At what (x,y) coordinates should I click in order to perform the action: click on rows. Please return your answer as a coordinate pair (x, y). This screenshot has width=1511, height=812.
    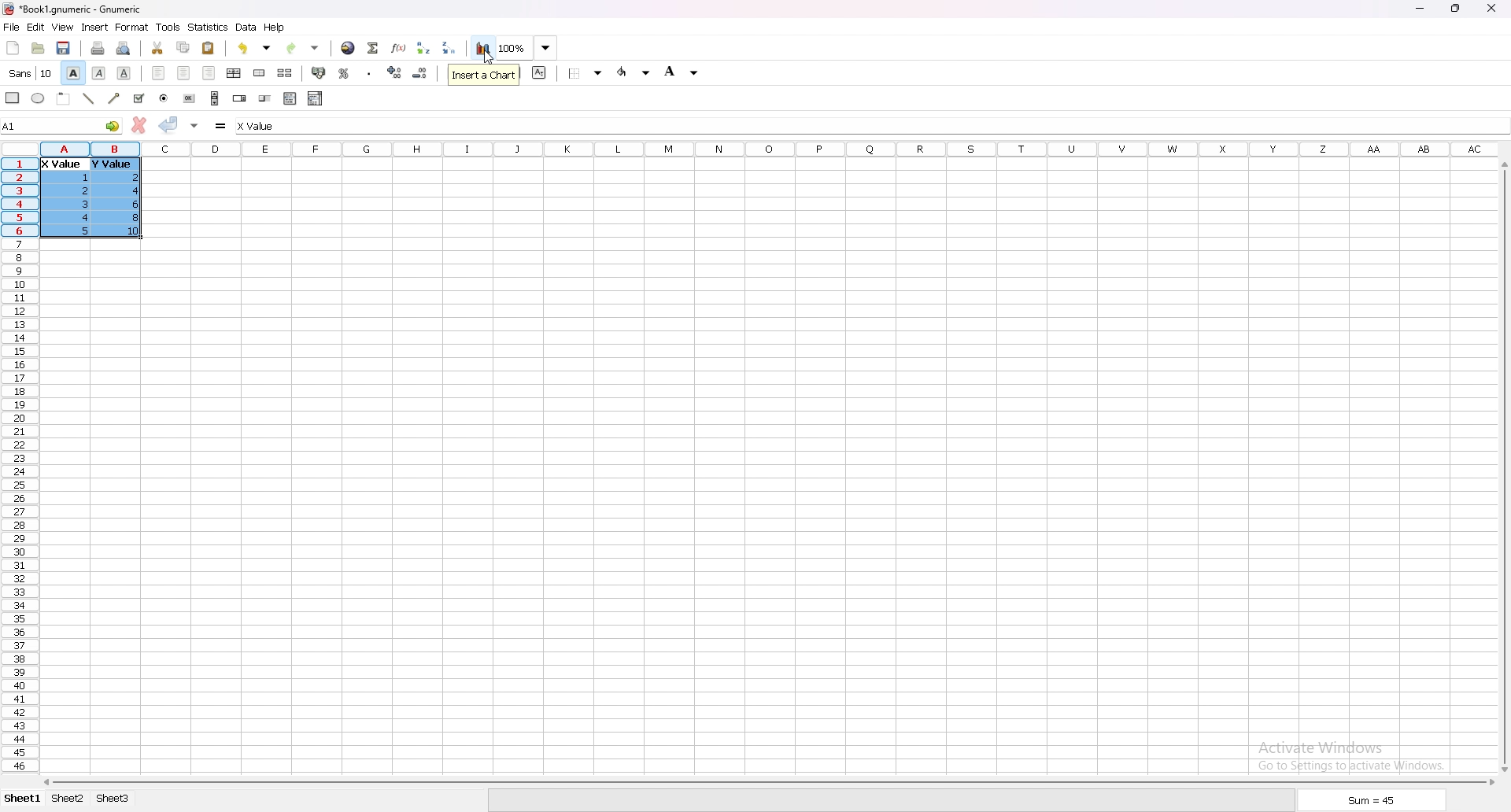
    Looking at the image, I should click on (17, 463).